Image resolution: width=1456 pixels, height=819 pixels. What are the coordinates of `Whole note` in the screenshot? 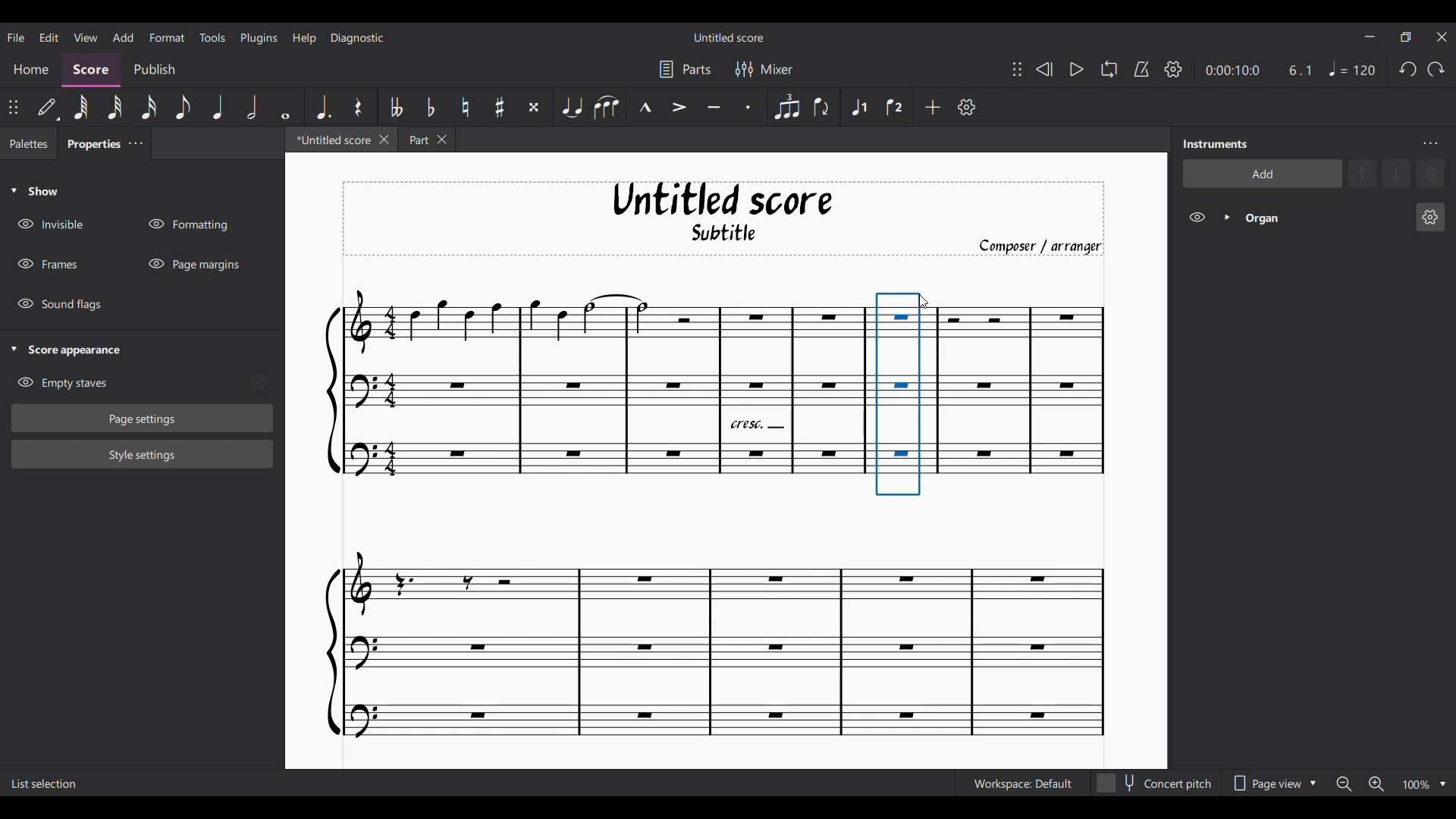 It's located at (286, 108).